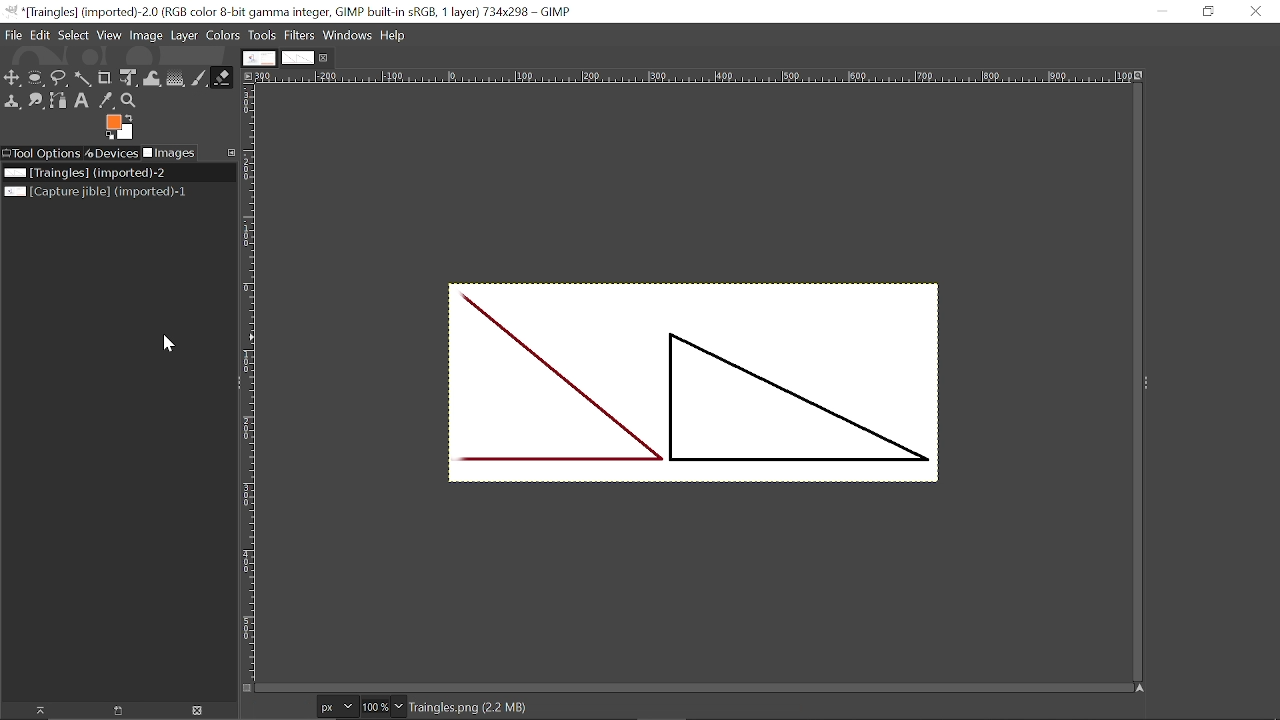 This screenshot has height=720, width=1280. I want to click on Quck toggle mask on/off, so click(245, 690).